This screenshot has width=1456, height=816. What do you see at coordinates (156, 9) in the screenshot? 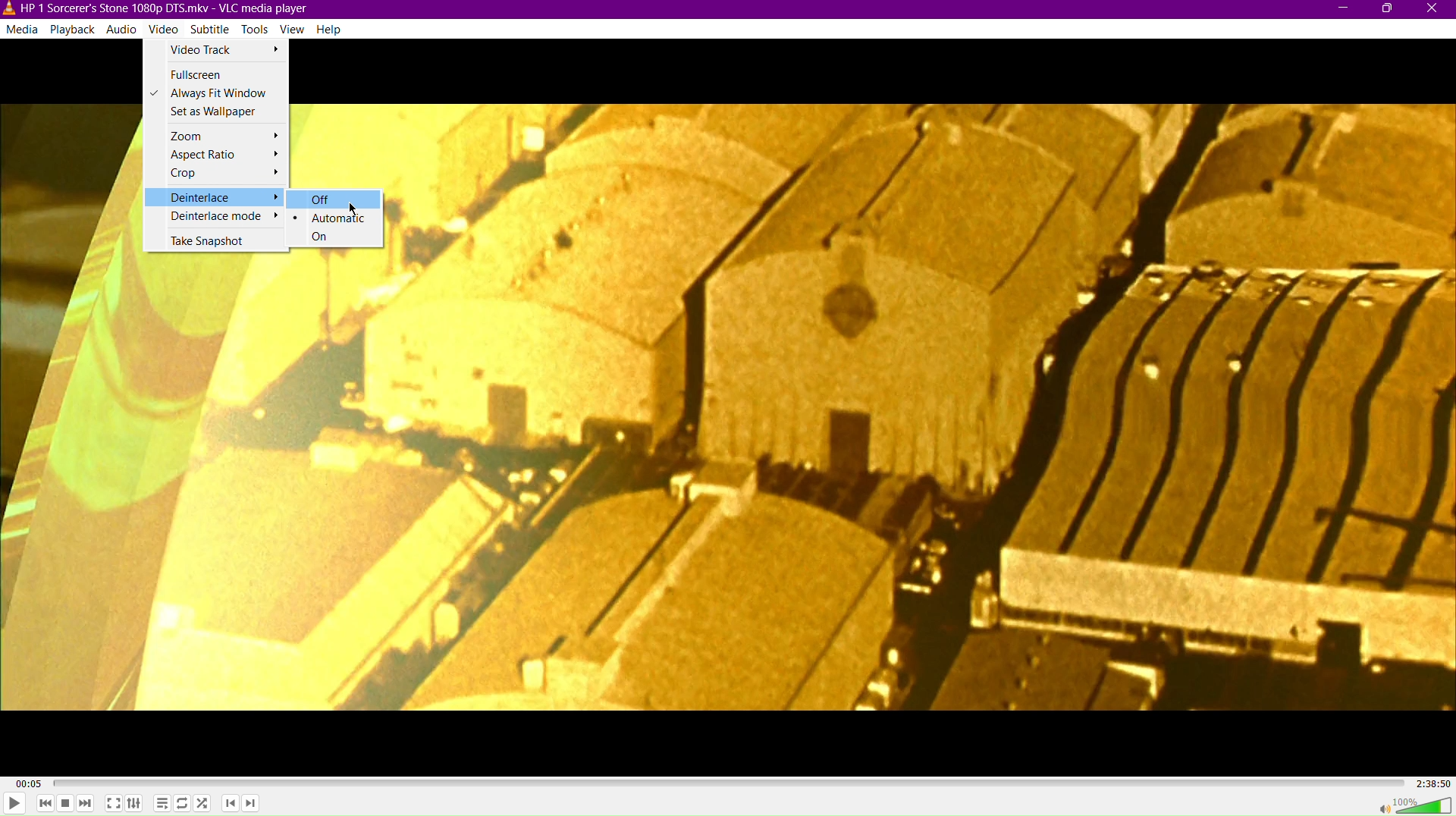
I see `HP | Sorcerer's Stone1080p DTS.mkv-VLC media player` at bounding box center [156, 9].